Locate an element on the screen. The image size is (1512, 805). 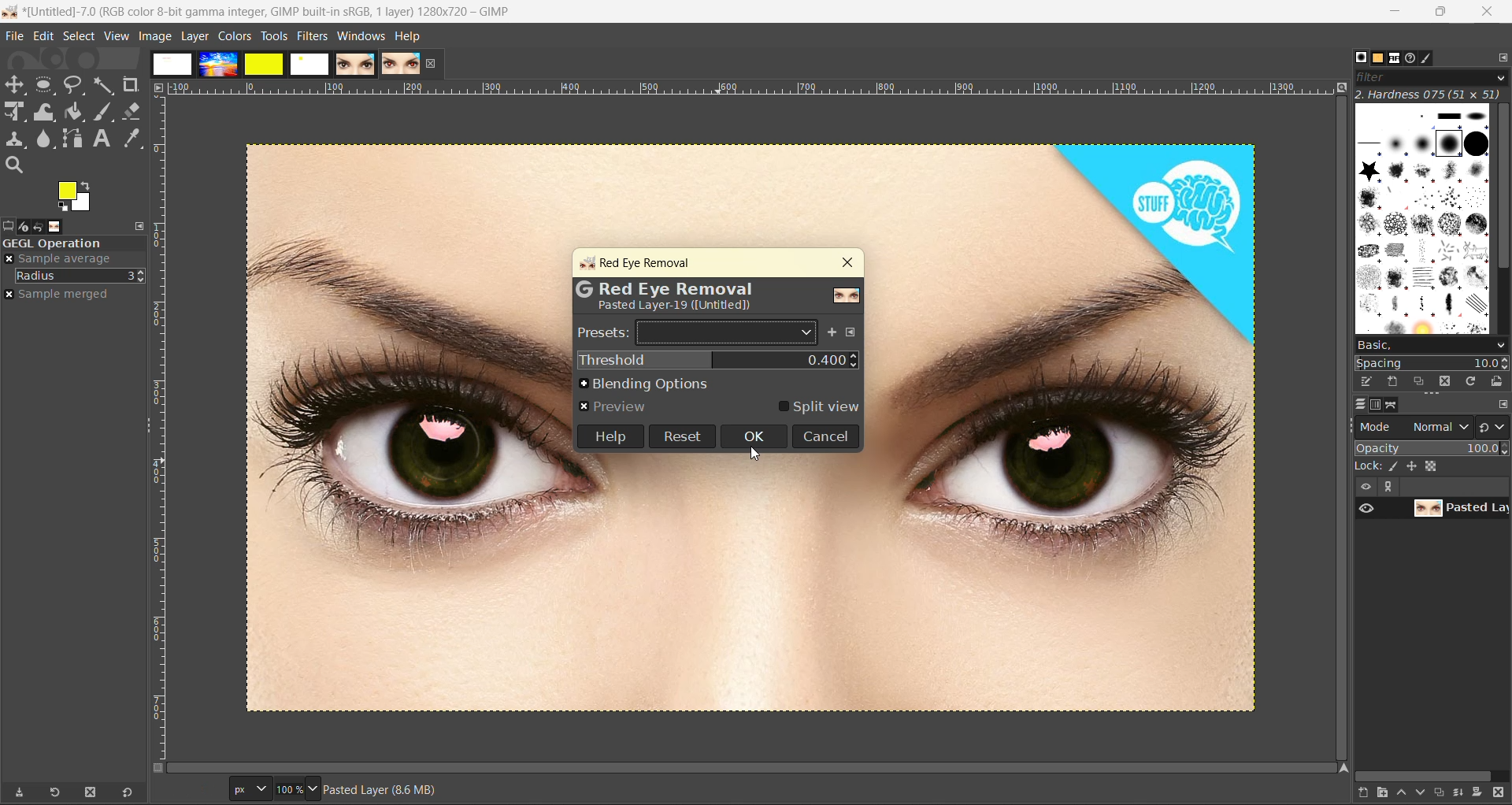
ink is located at coordinates (1394, 466).